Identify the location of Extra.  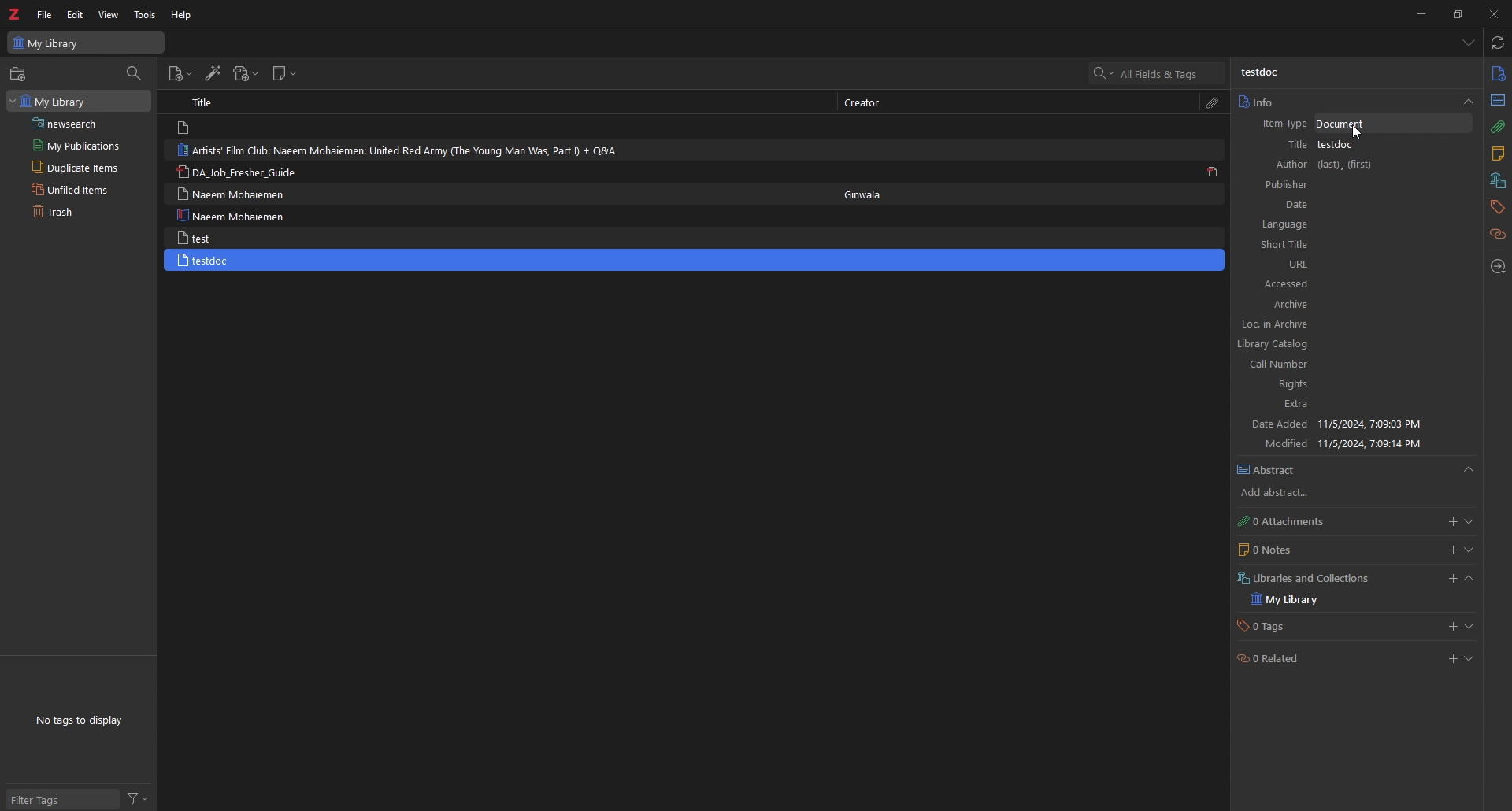
(1353, 404).